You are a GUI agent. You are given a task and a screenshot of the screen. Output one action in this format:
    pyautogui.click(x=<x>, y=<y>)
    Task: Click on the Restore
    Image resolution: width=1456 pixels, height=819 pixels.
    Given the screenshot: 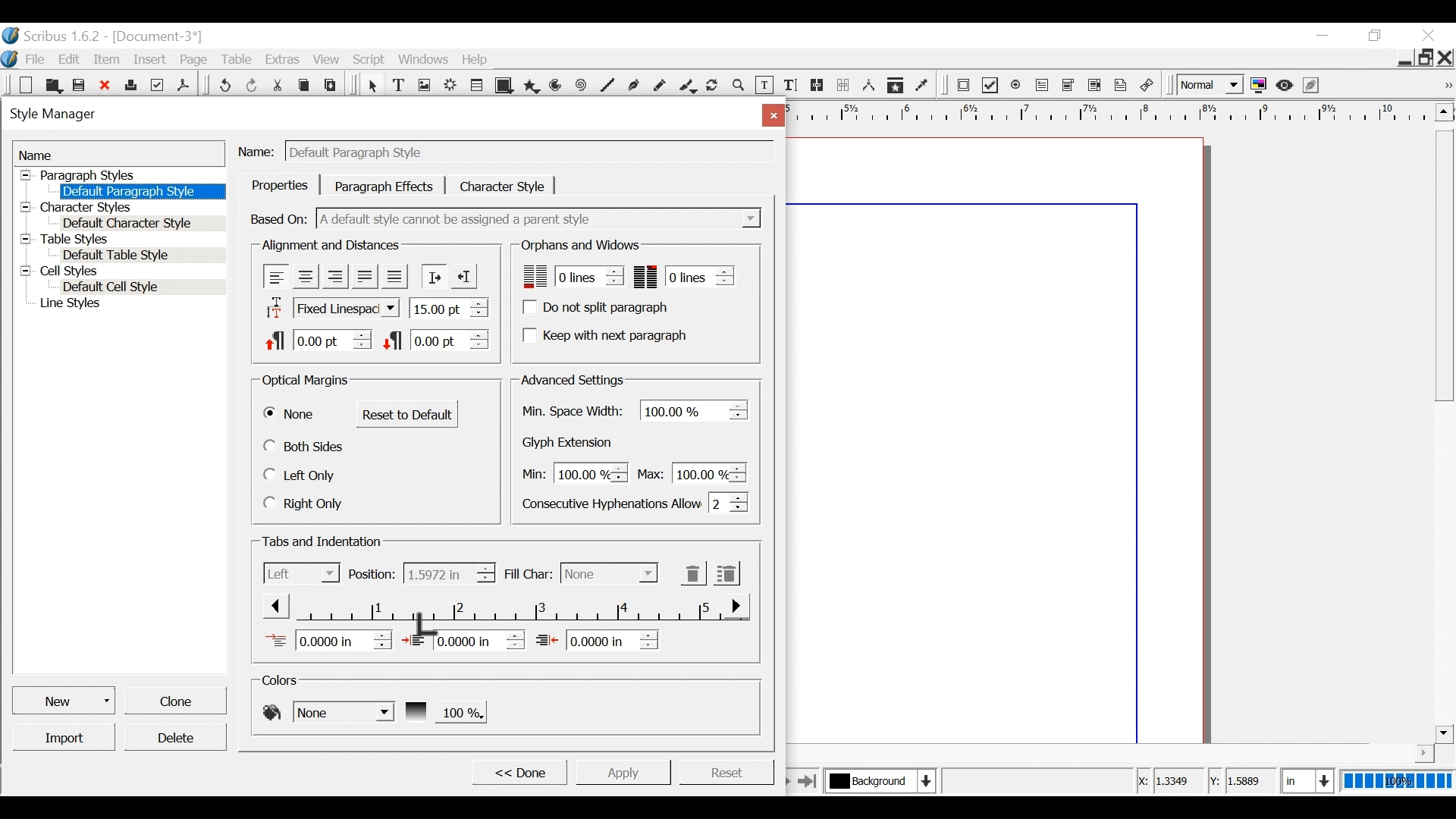 What is the action you would take?
    pyautogui.click(x=1376, y=36)
    